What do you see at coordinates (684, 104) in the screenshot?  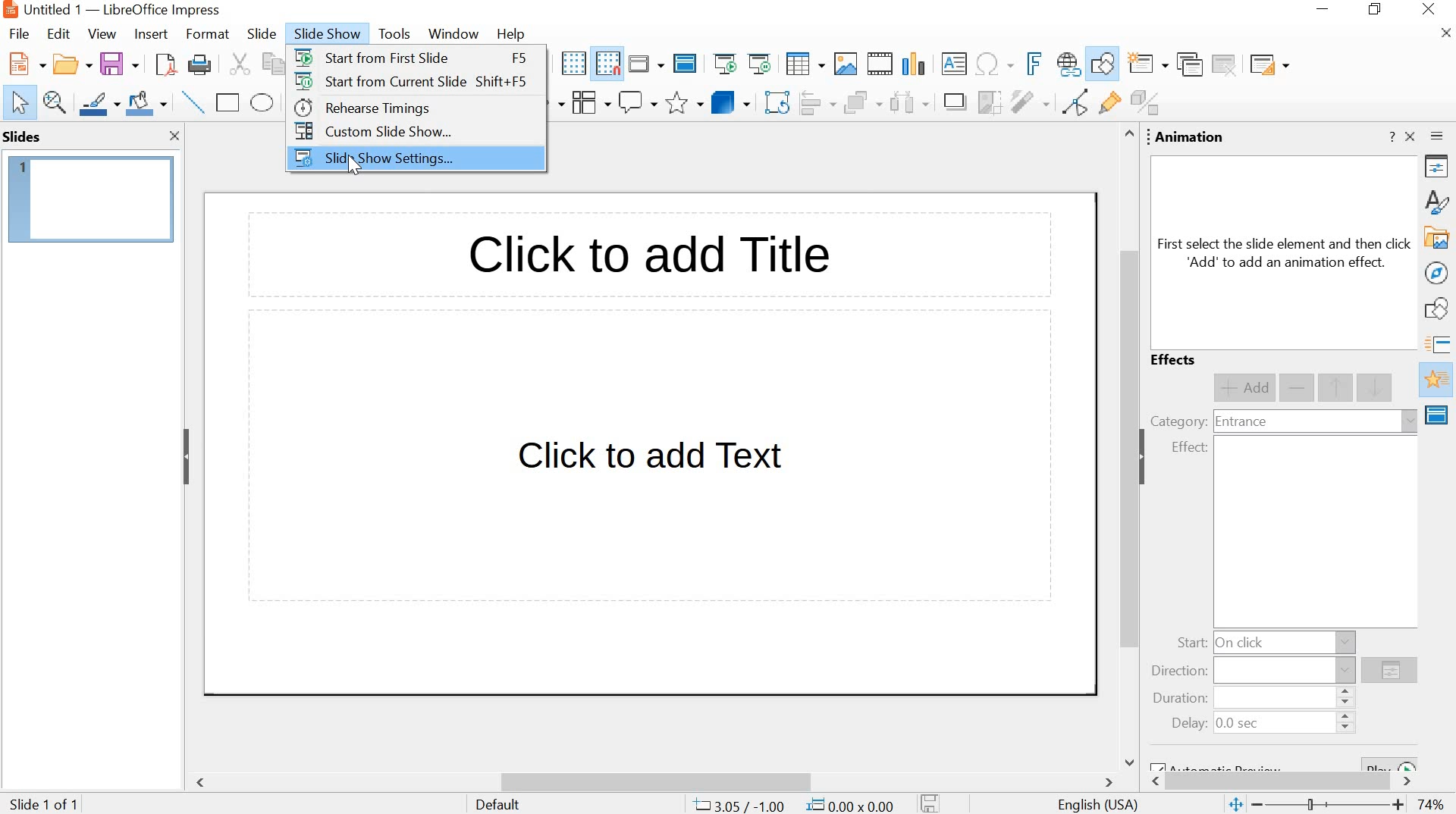 I see `stars and banners` at bounding box center [684, 104].